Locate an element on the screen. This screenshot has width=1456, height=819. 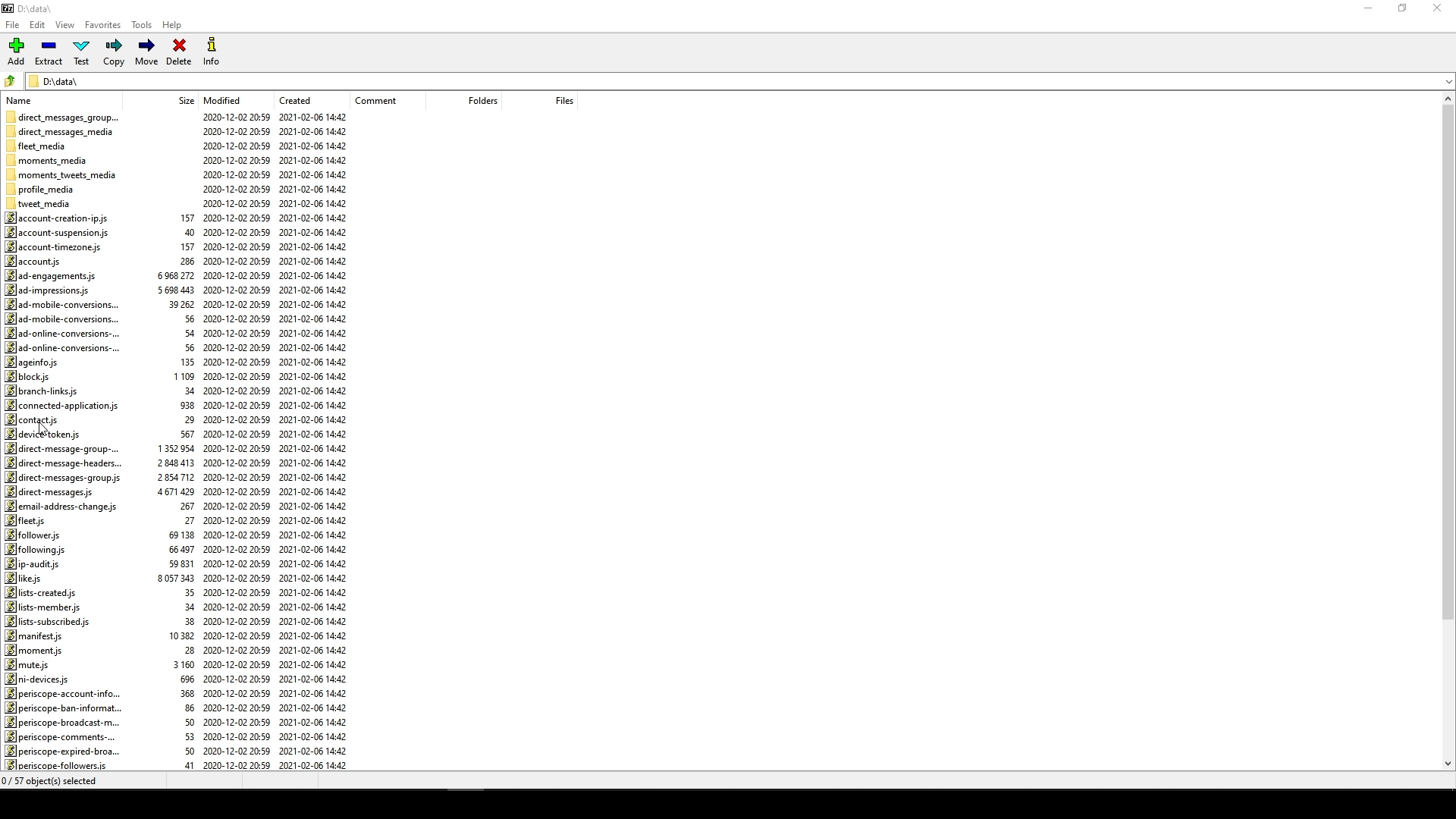
periscope-expired-broa is located at coordinates (64, 750).